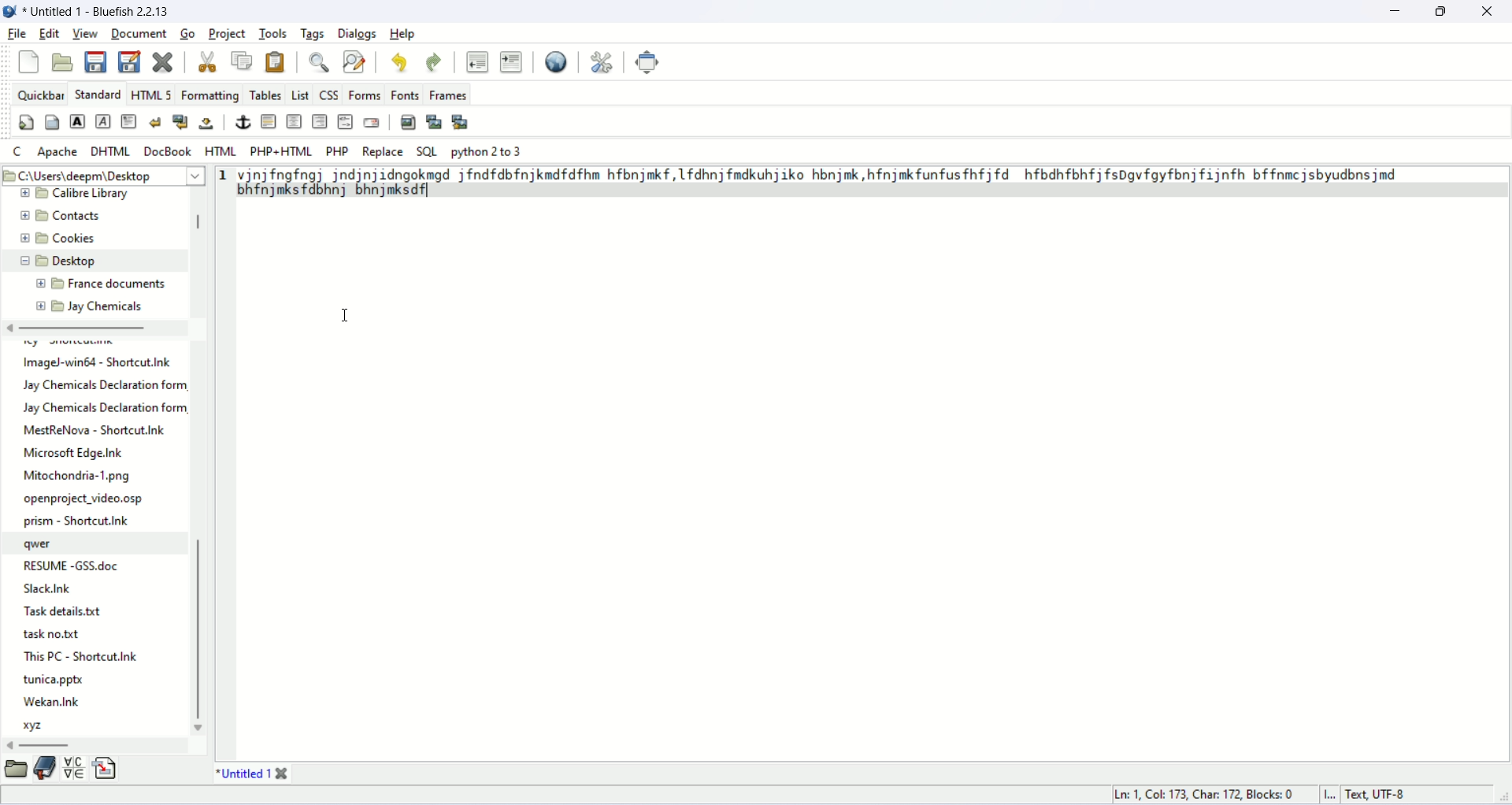 The image size is (1512, 805). What do you see at coordinates (79, 261) in the screenshot?
I see `Desktop` at bounding box center [79, 261].